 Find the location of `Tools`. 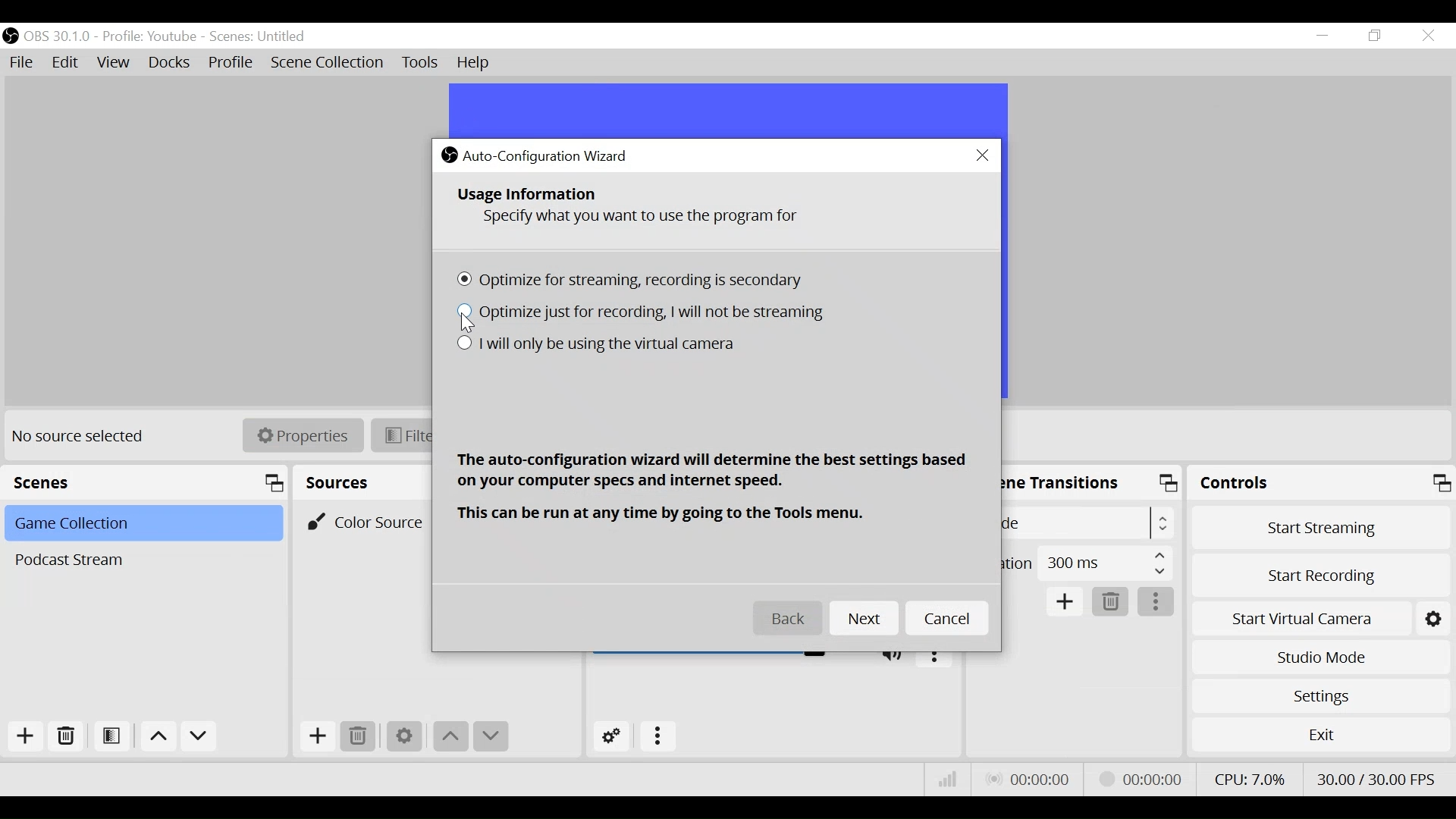

Tools is located at coordinates (420, 63).